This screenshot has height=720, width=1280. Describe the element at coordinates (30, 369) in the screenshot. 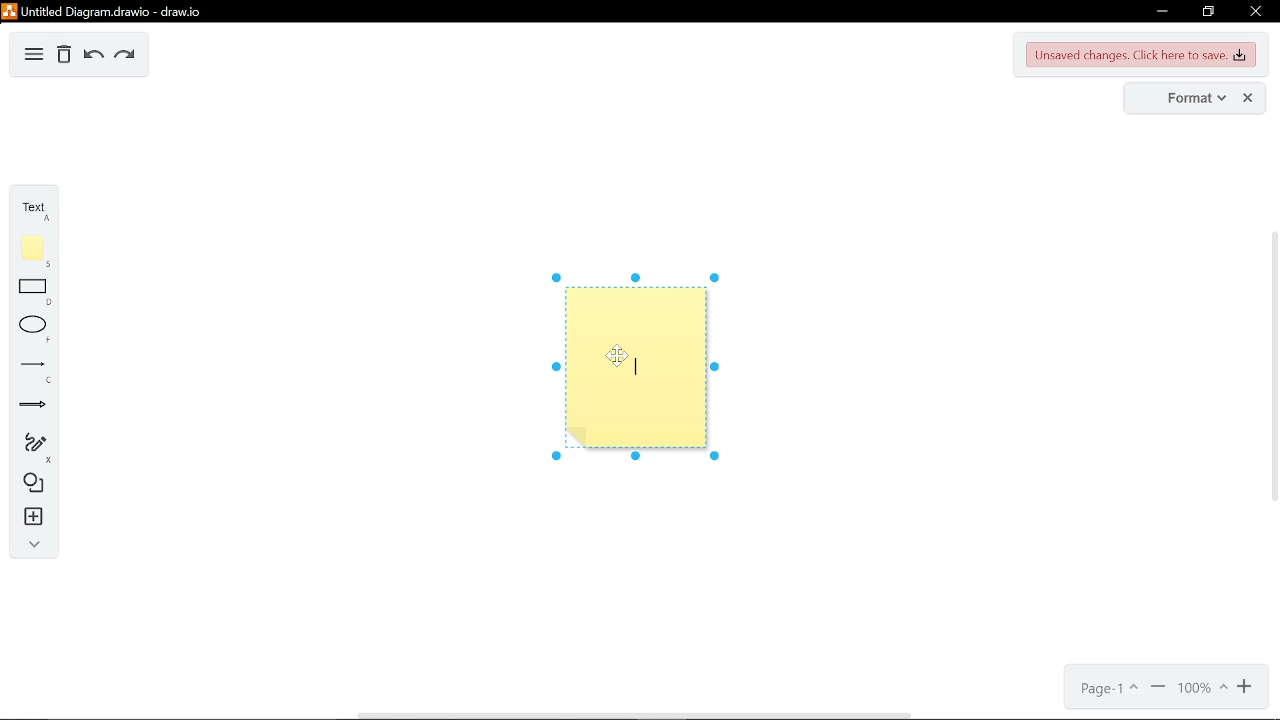

I see `lines` at that location.